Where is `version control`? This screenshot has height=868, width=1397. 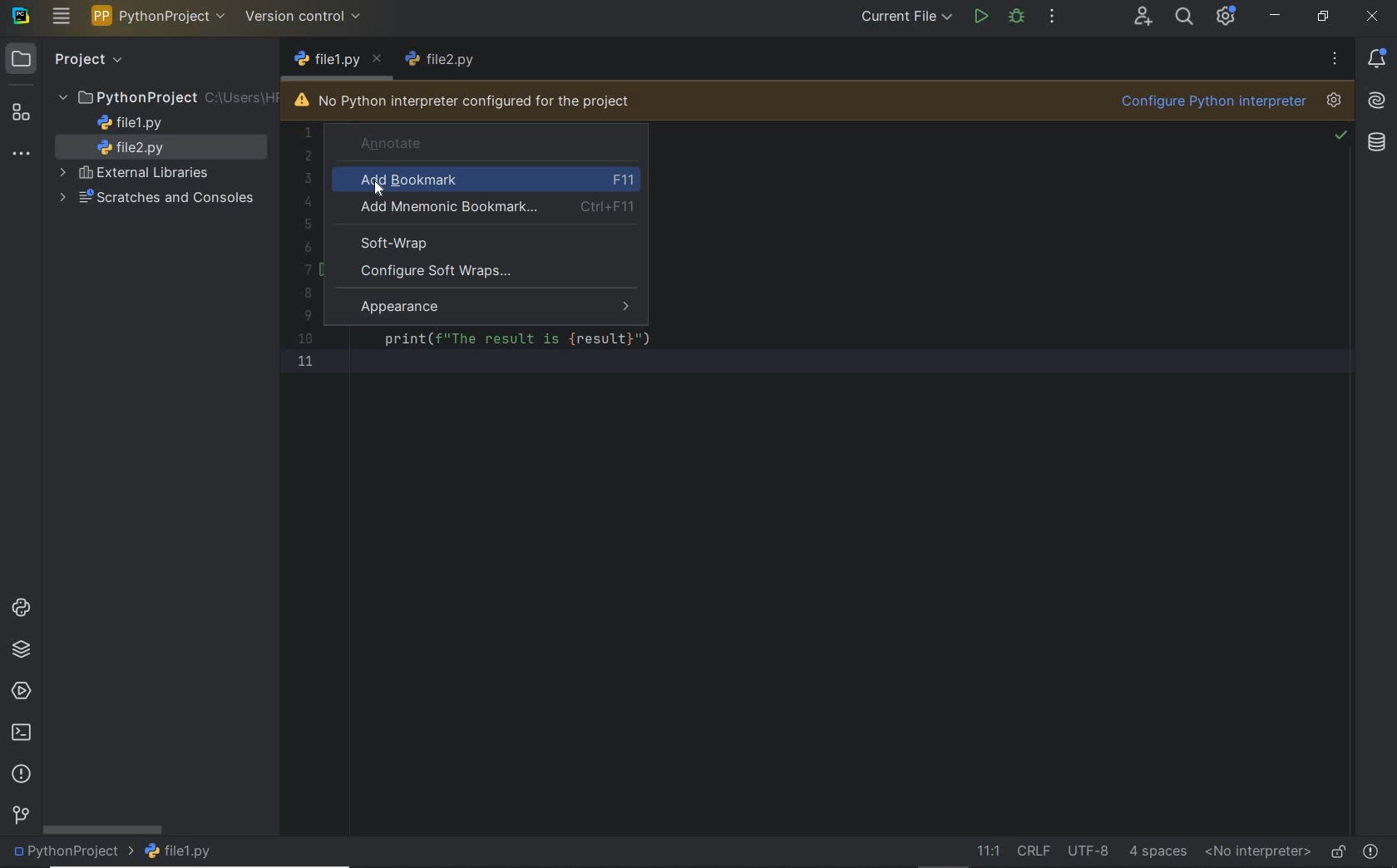
version control is located at coordinates (306, 18).